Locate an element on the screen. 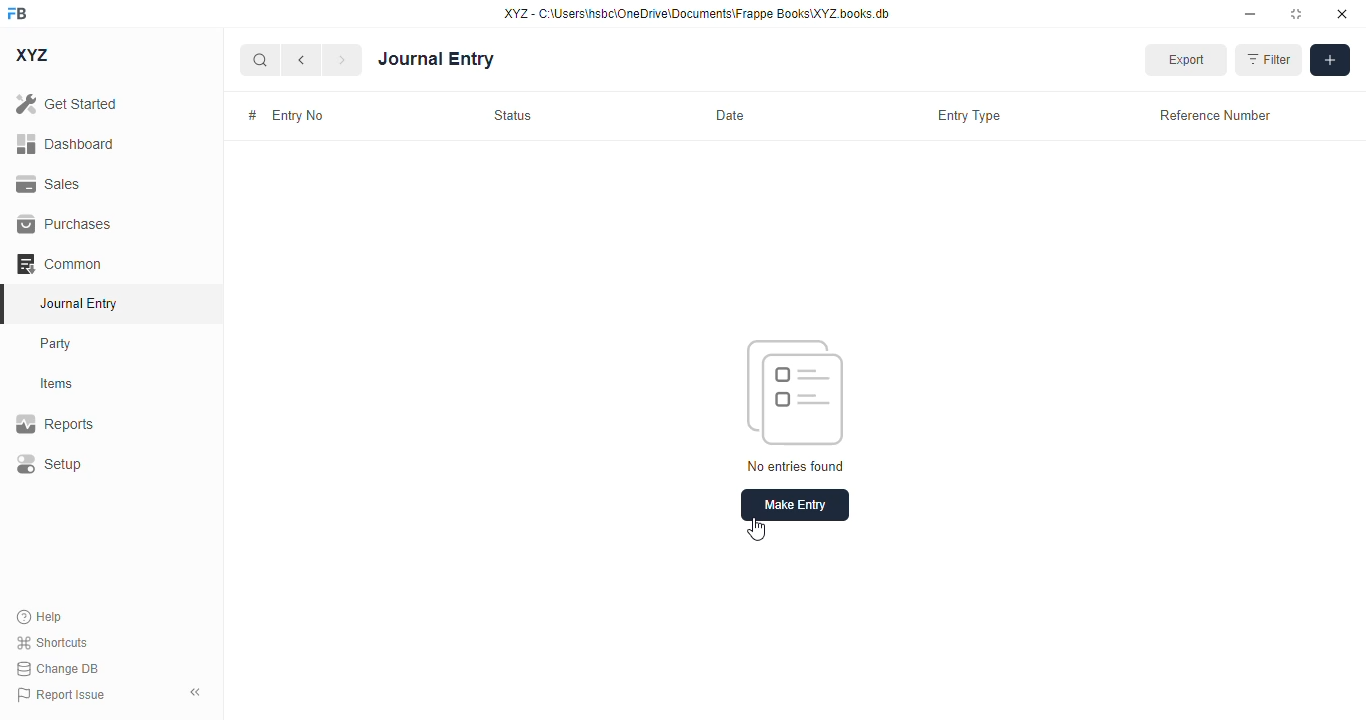 The height and width of the screenshot is (720, 1366). minimize is located at coordinates (1251, 13).